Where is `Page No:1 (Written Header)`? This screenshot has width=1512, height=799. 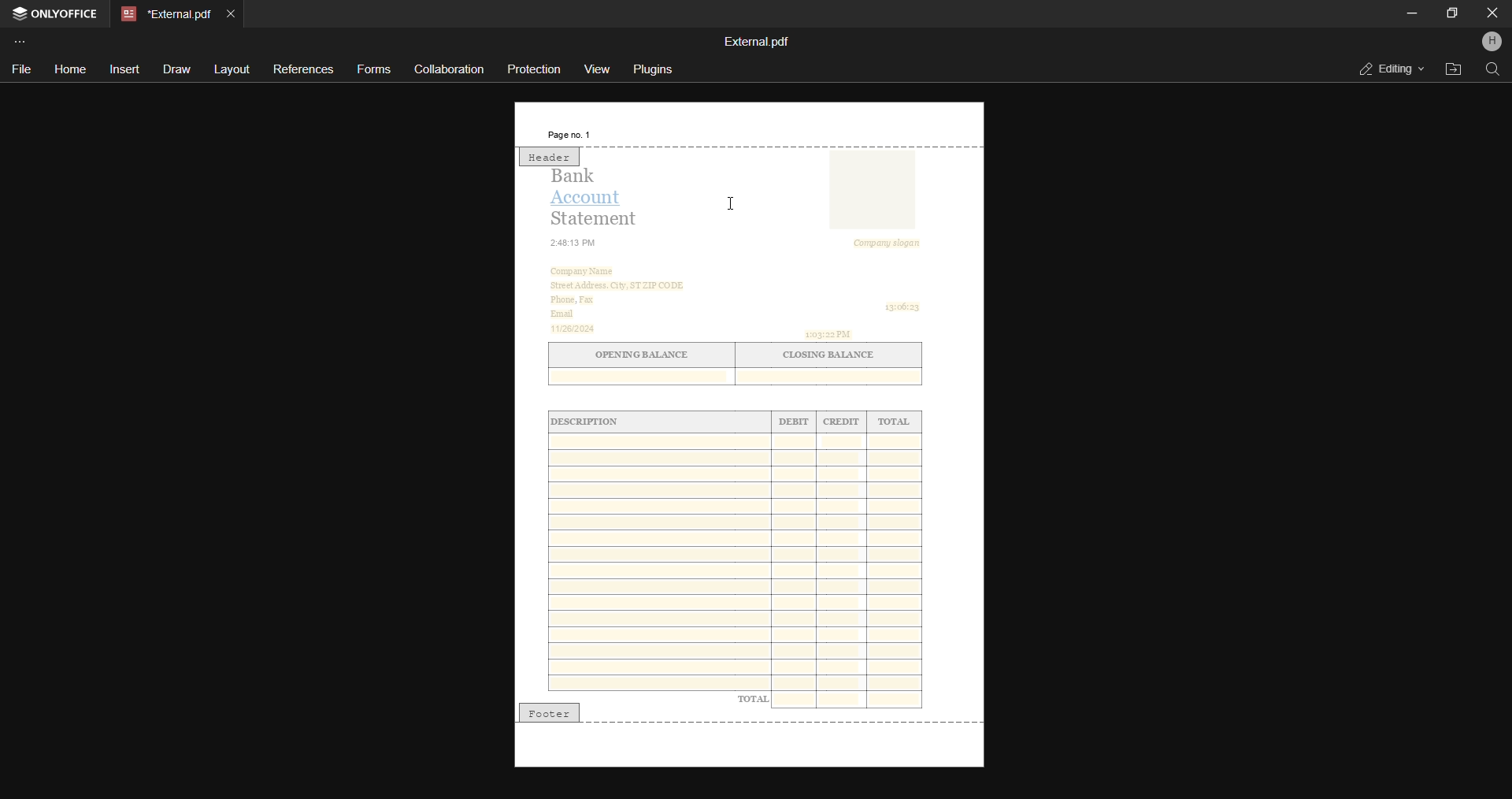 Page No:1 (Written Header) is located at coordinates (568, 135).